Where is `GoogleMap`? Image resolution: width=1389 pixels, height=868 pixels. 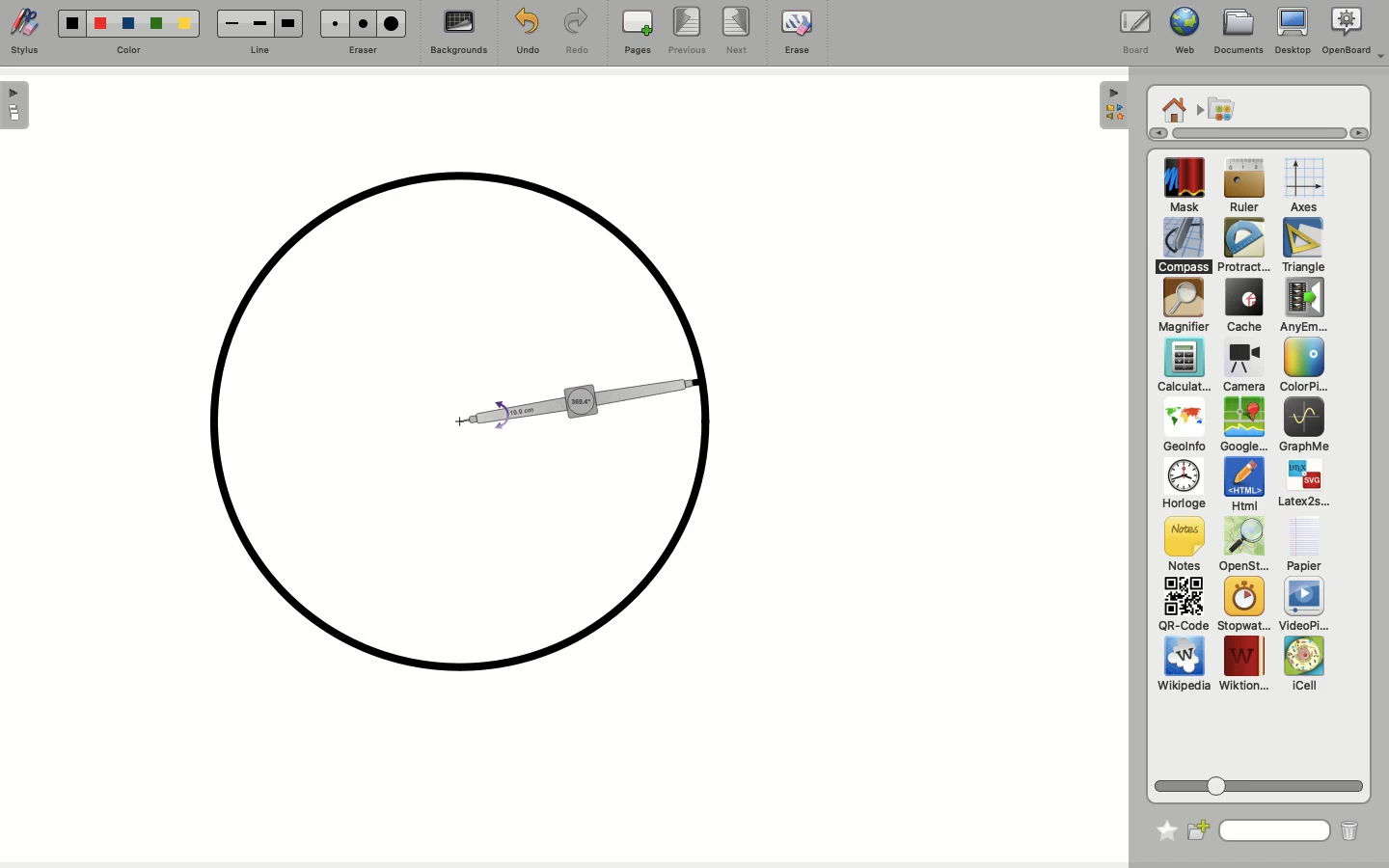 GoogleMap is located at coordinates (1243, 426).